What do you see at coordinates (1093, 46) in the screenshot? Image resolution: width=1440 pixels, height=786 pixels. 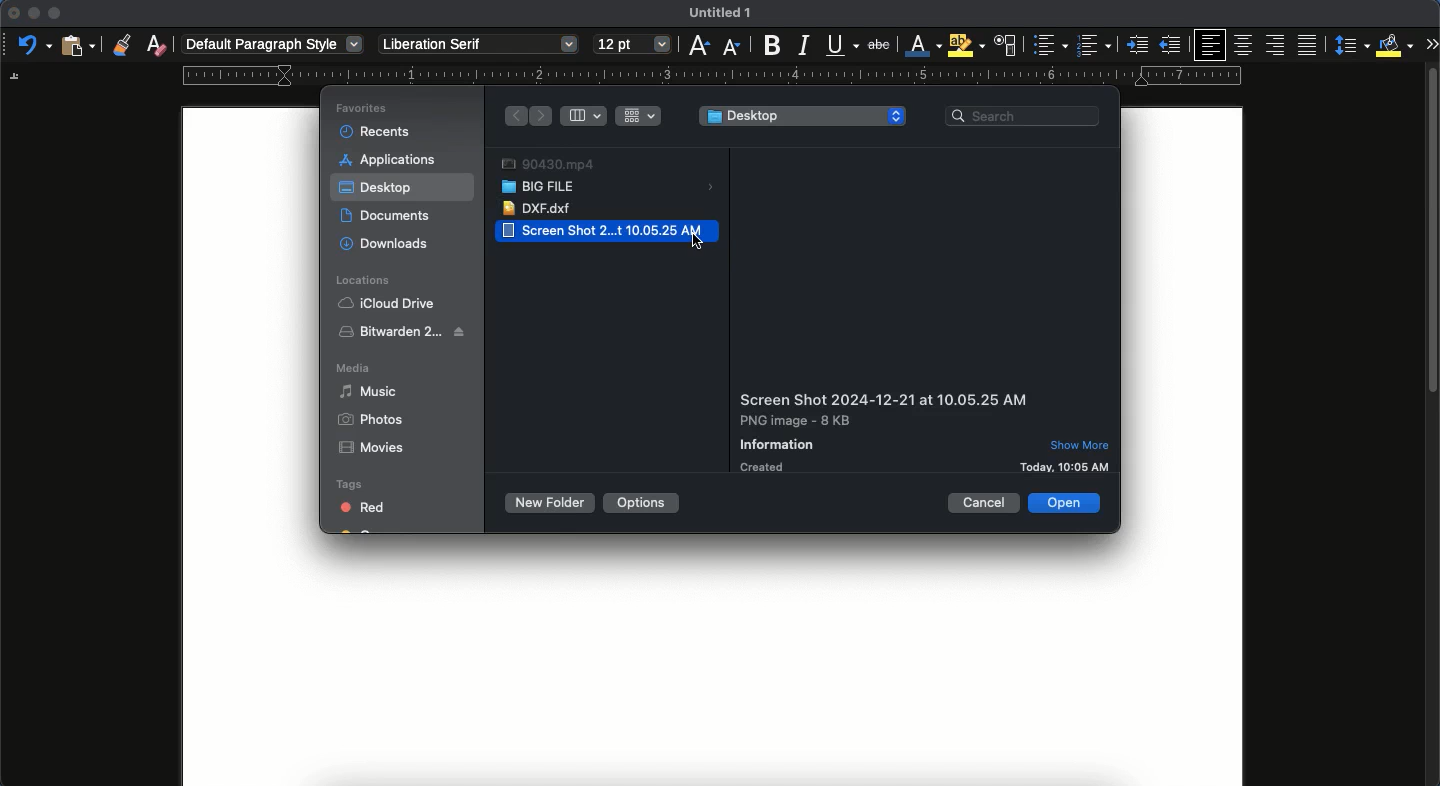 I see `number bullet` at bounding box center [1093, 46].